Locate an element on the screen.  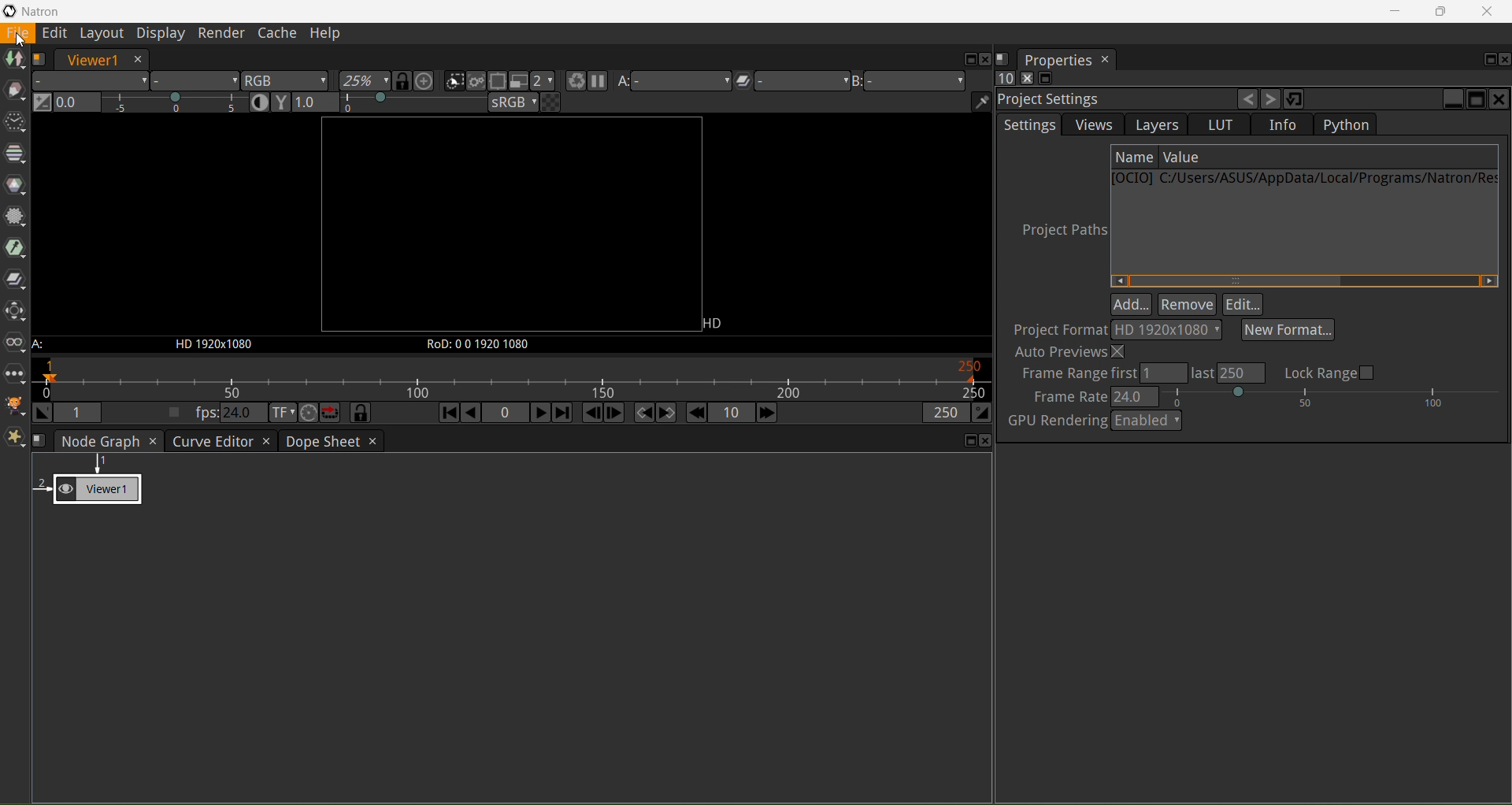
First frame is located at coordinates (449, 414).